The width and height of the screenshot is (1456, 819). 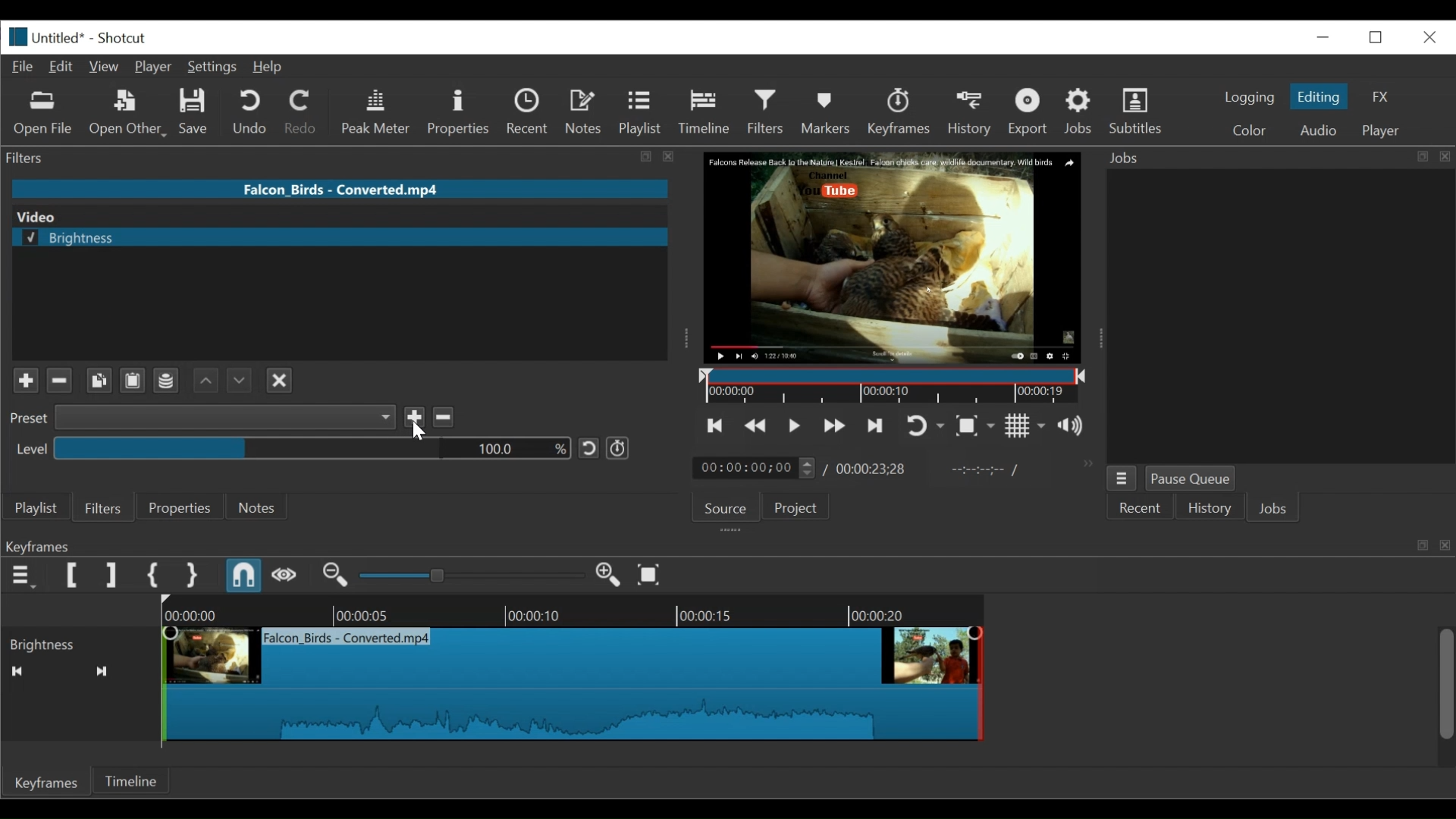 I want to click on Media Viewer, so click(x=890, y=257).